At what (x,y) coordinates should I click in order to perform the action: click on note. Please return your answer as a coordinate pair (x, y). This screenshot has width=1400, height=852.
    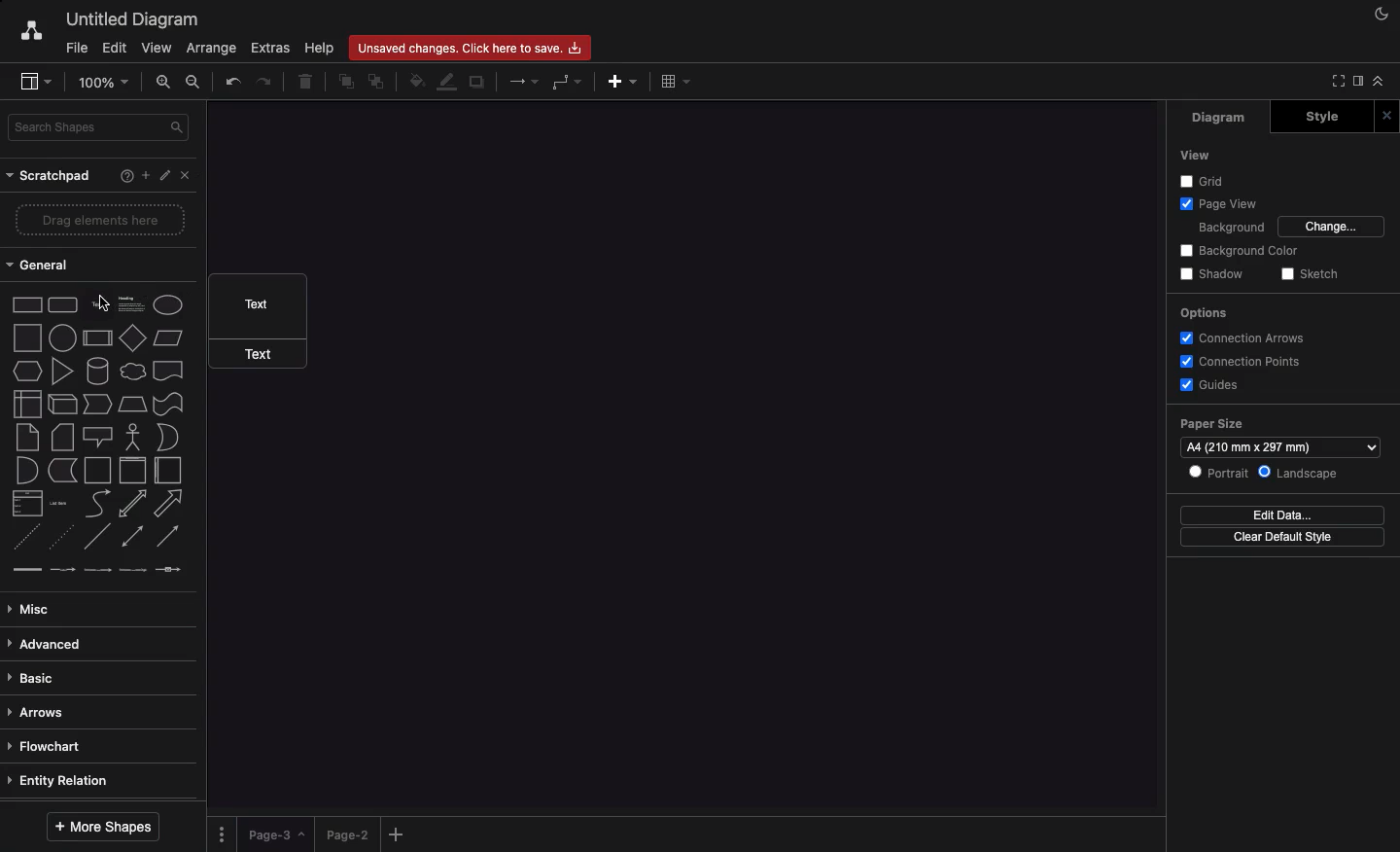
    Looking at the image, I should click on (27, 438).